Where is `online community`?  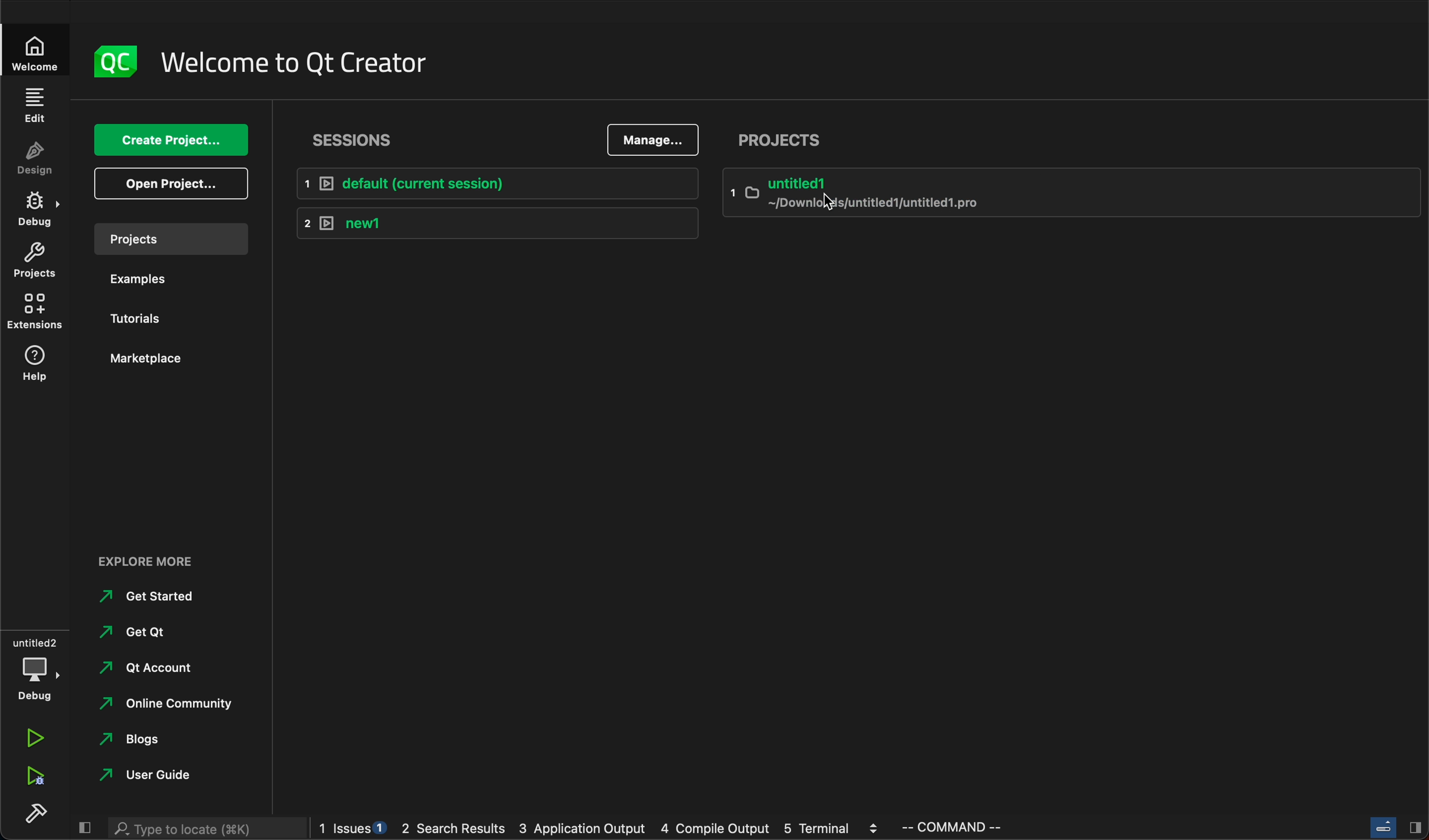 online community is located at coordinates (169, 705).